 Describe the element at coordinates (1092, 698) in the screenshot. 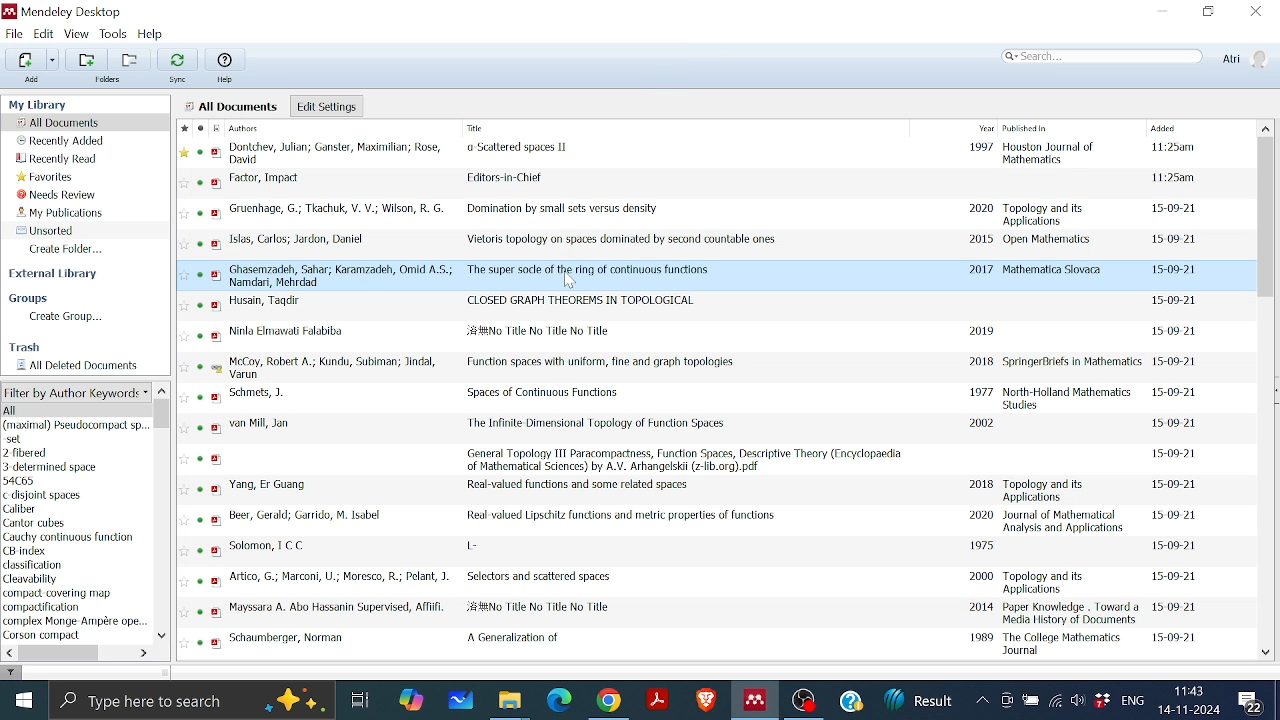

I see `Dropbox` at that location.